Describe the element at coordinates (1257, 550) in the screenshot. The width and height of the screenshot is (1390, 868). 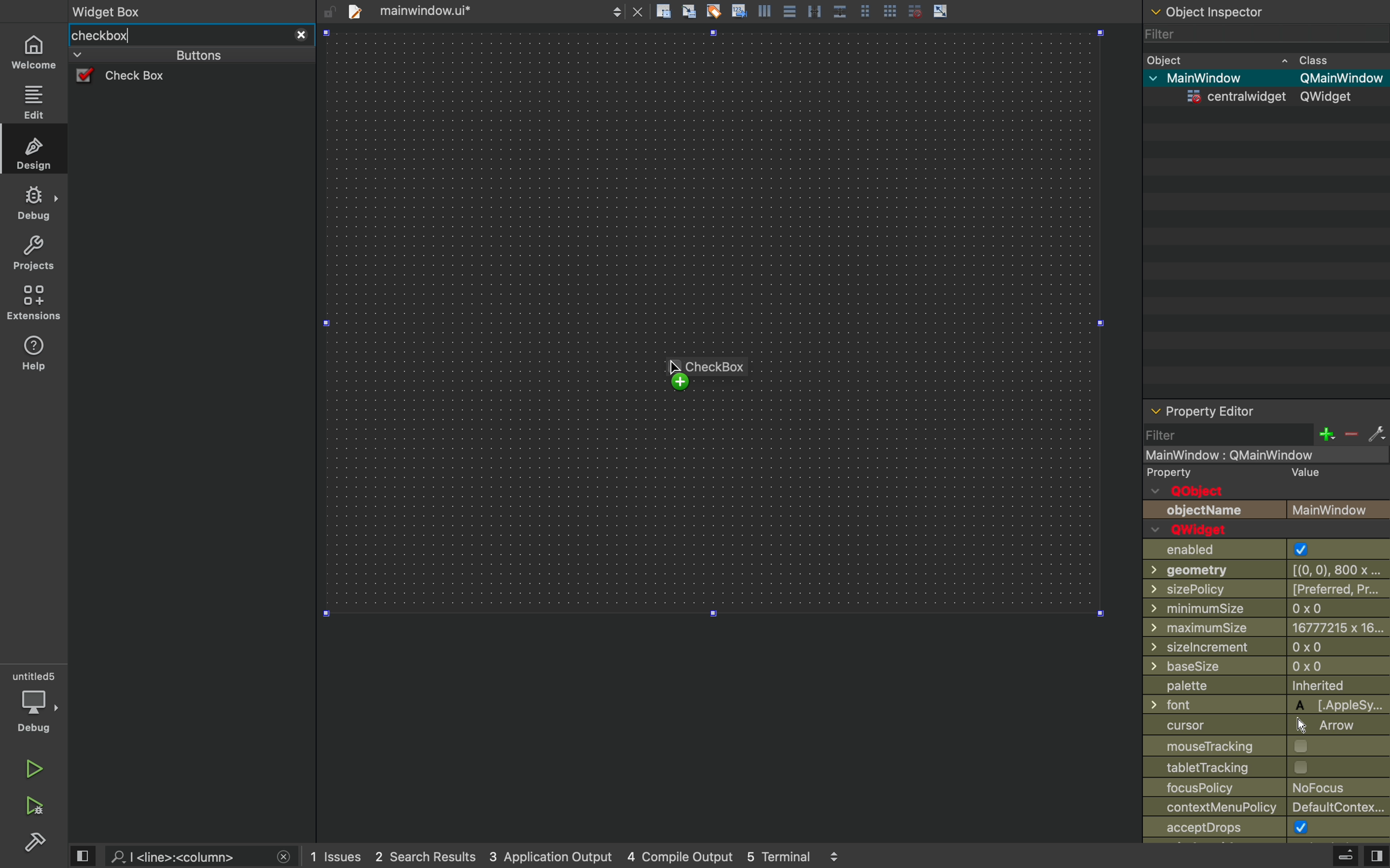
I see `enabled` at that location.